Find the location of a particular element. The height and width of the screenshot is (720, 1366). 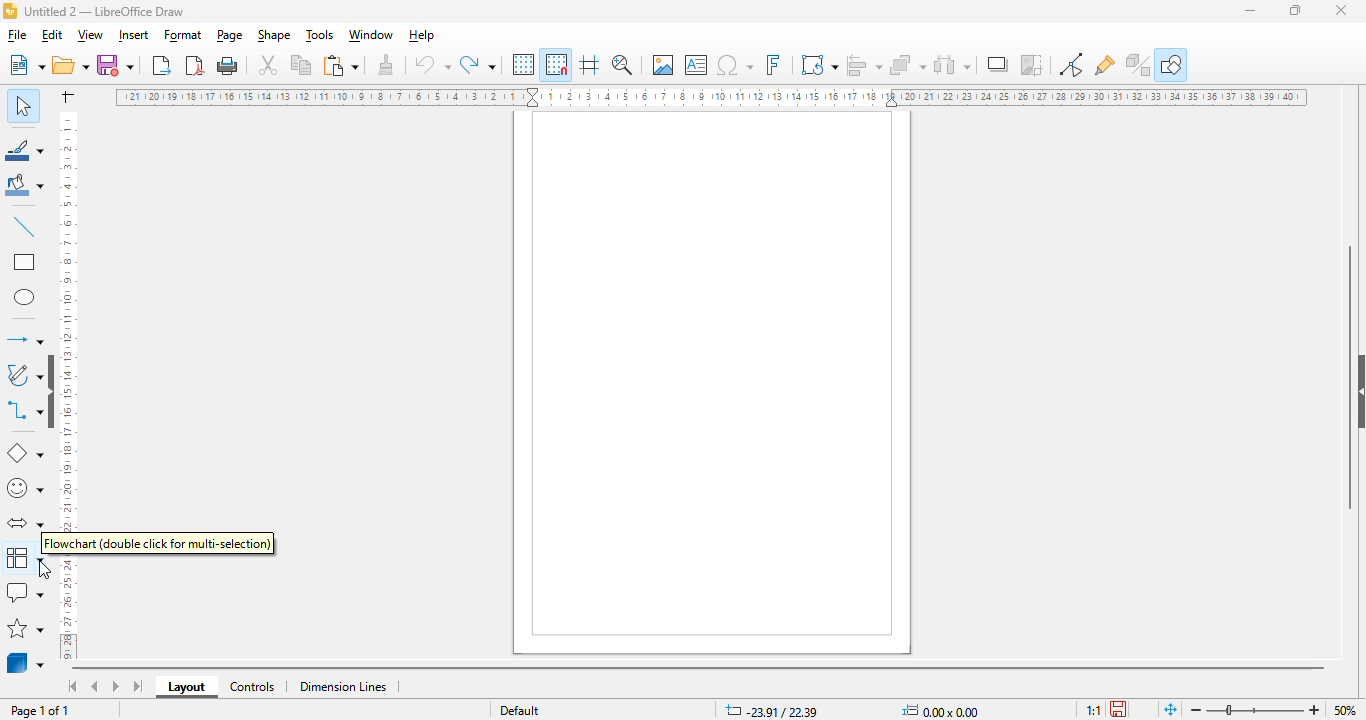

workspace is located at coordinates (713, 385).